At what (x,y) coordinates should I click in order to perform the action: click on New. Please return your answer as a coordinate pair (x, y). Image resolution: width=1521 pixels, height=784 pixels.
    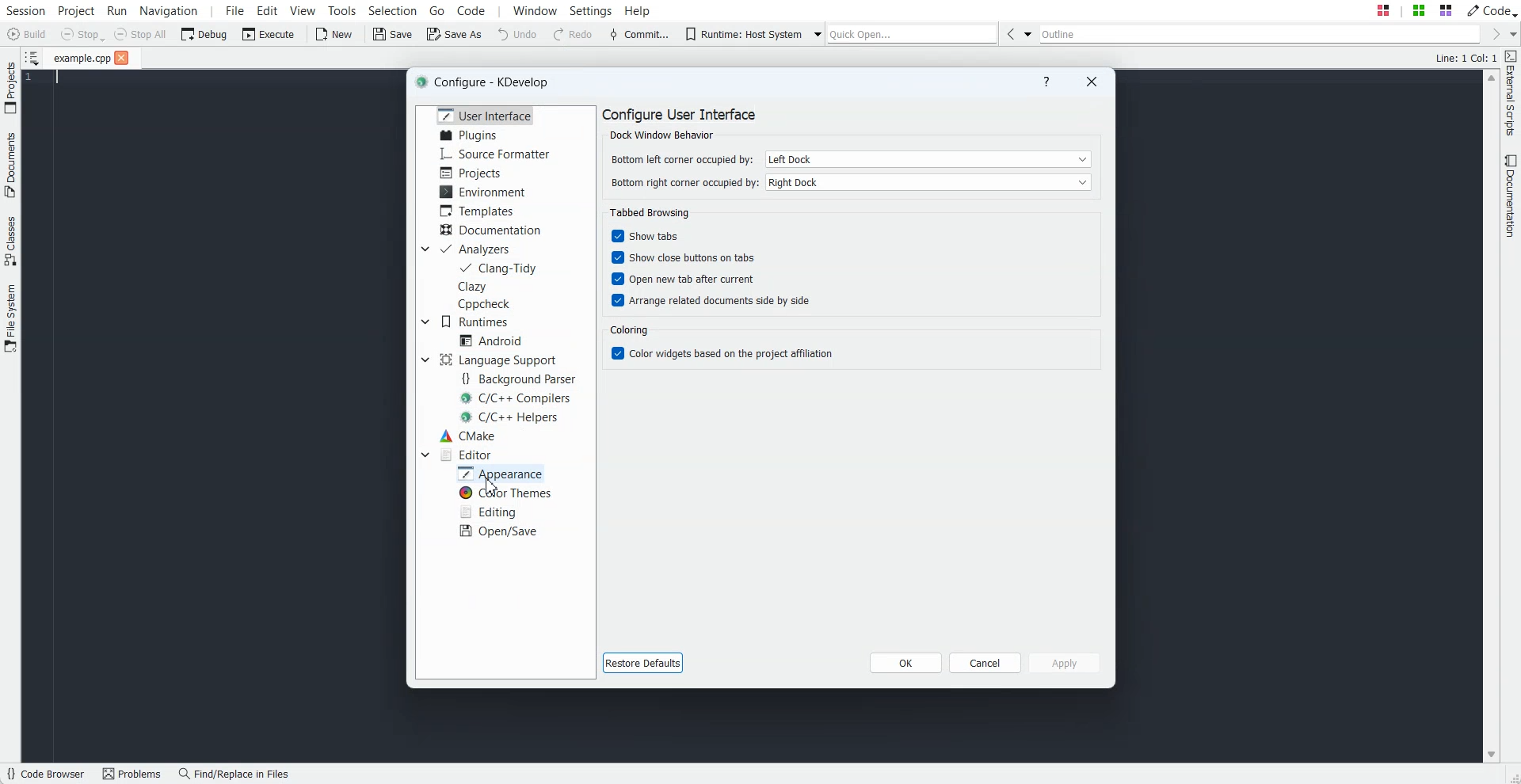
    Looking at the image, I should click on (337, 34).